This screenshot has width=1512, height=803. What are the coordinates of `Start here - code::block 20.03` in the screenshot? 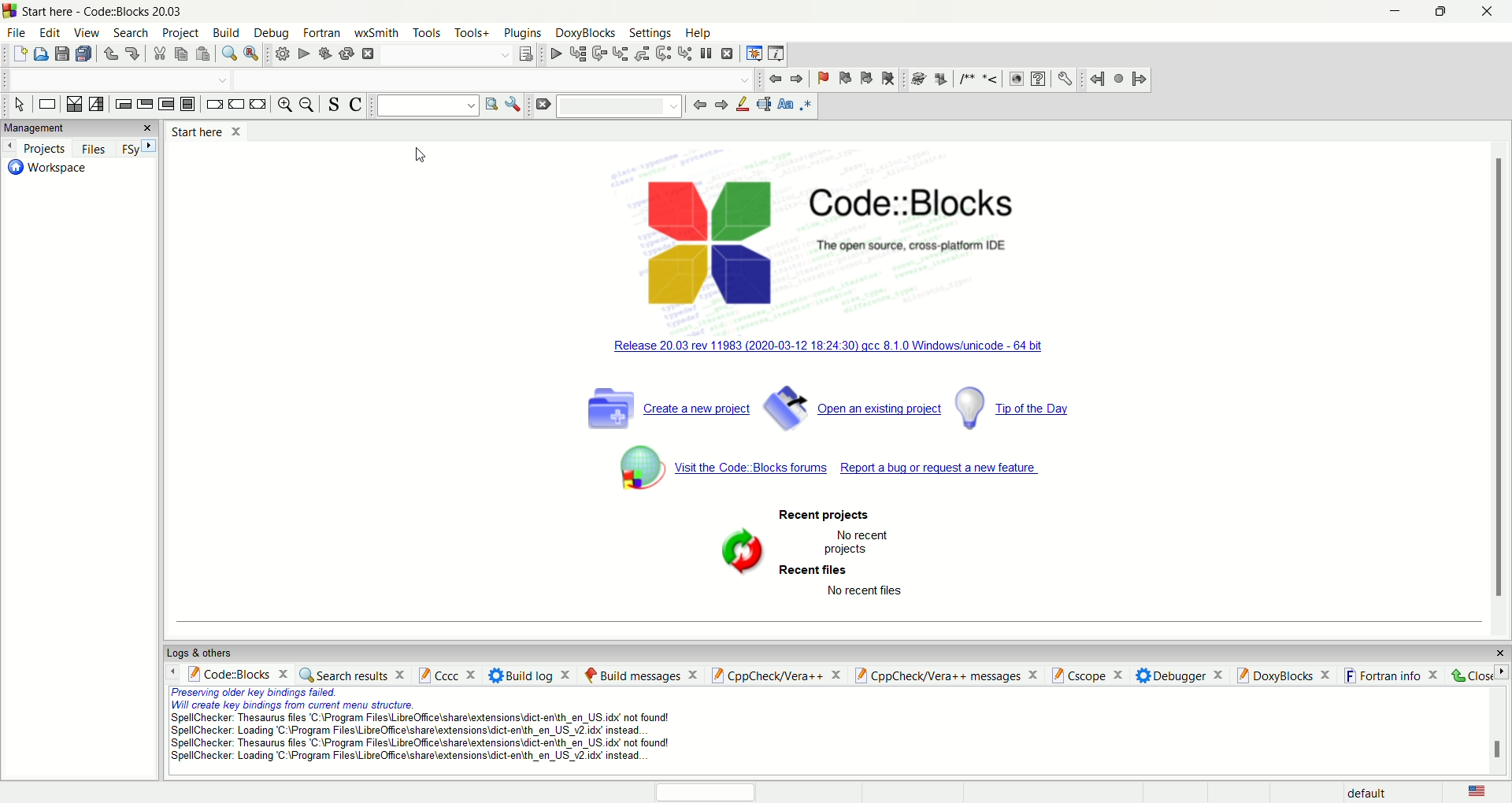 It's located at (109, 13).